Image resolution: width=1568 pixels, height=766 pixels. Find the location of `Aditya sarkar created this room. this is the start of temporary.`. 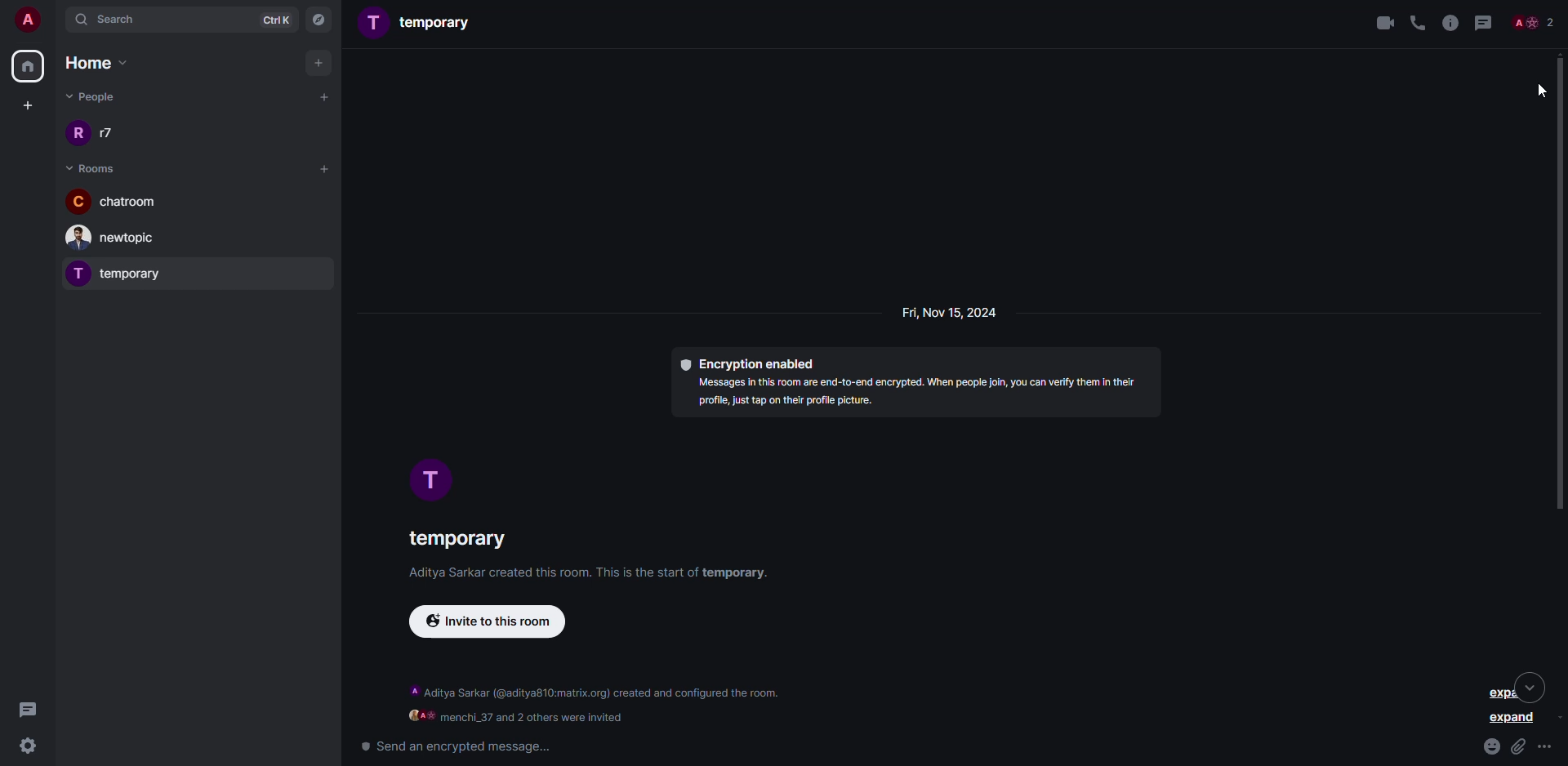

Aditya sarkar created this room. this is the start of temporary. is located at coordinates (577, 575).